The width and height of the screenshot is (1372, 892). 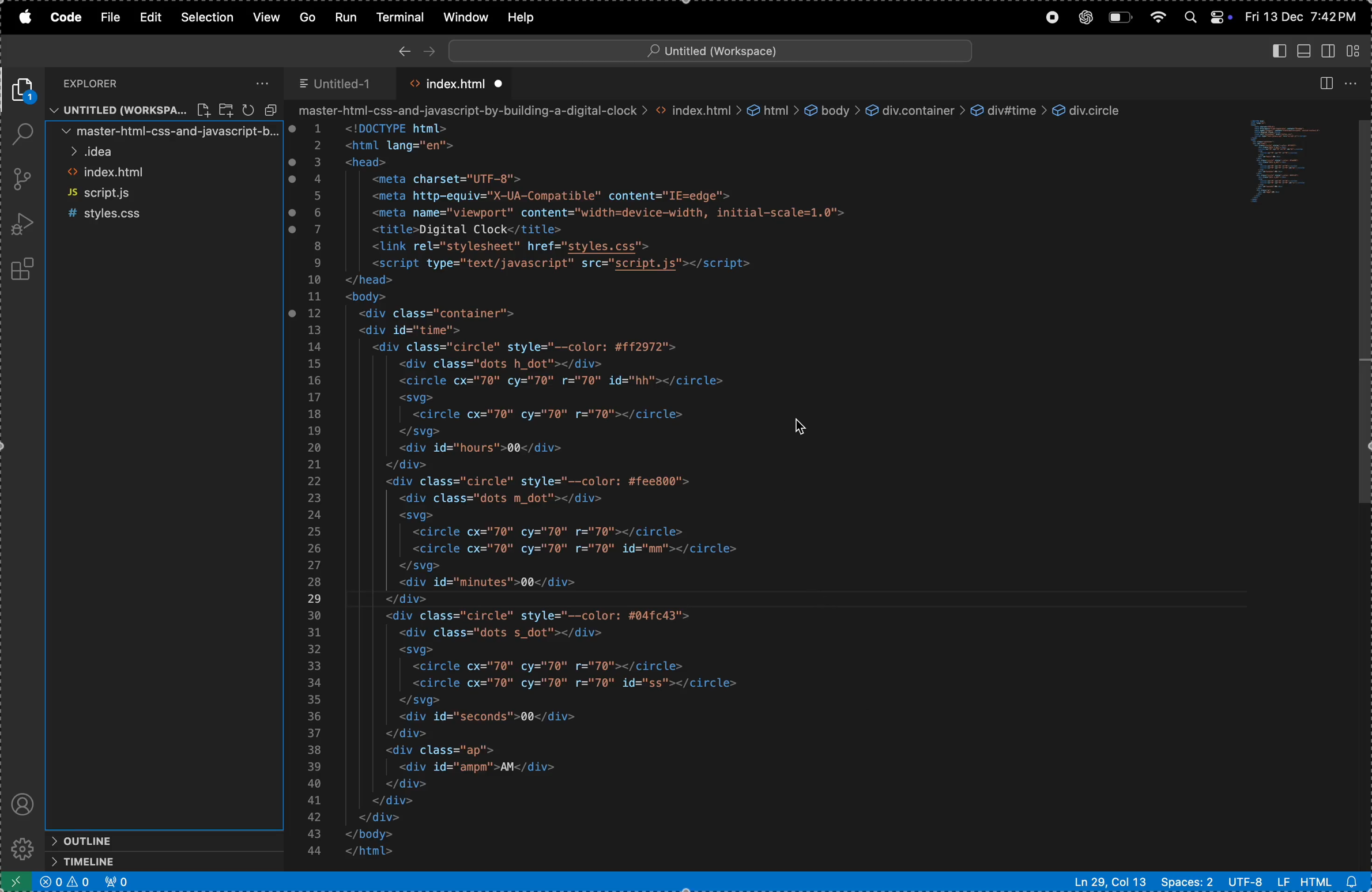 I want to click on toggle secondary side bar, so click(x=1330, y=50).